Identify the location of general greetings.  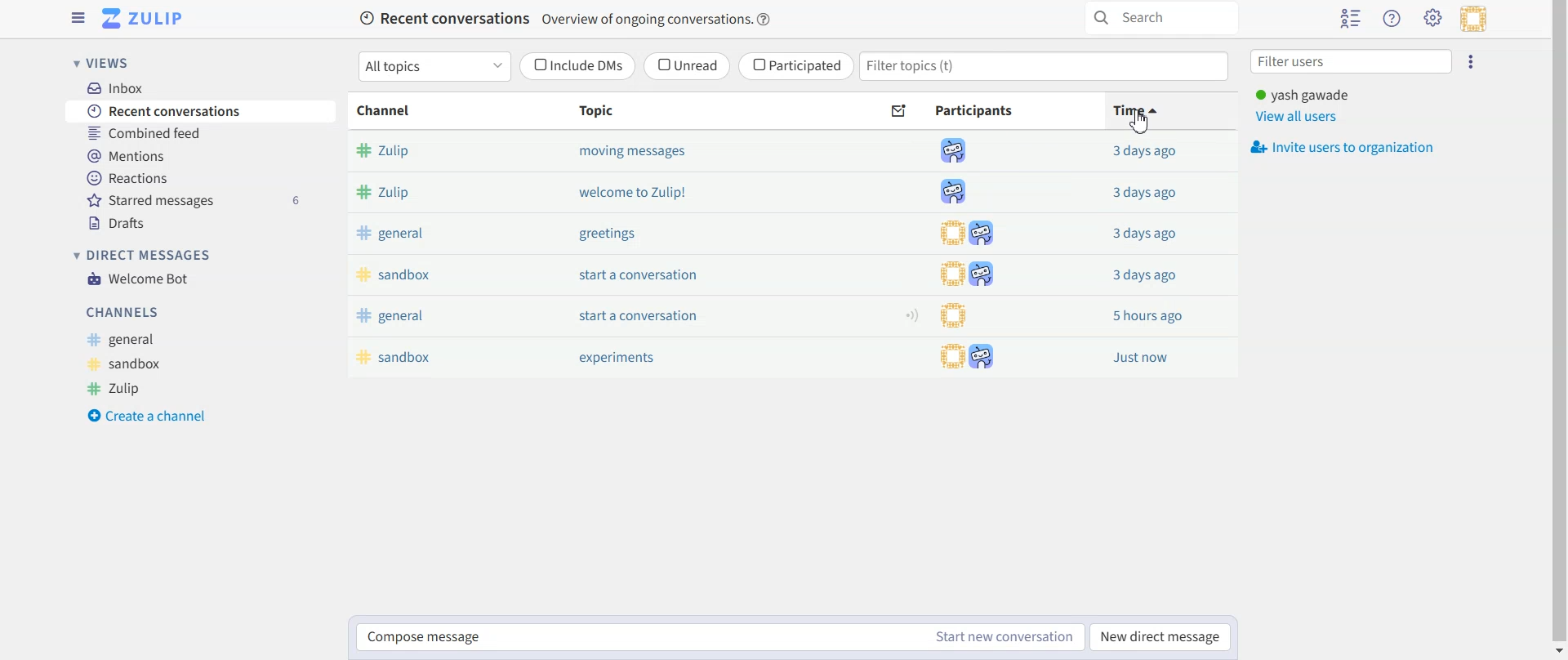
(534, 232).